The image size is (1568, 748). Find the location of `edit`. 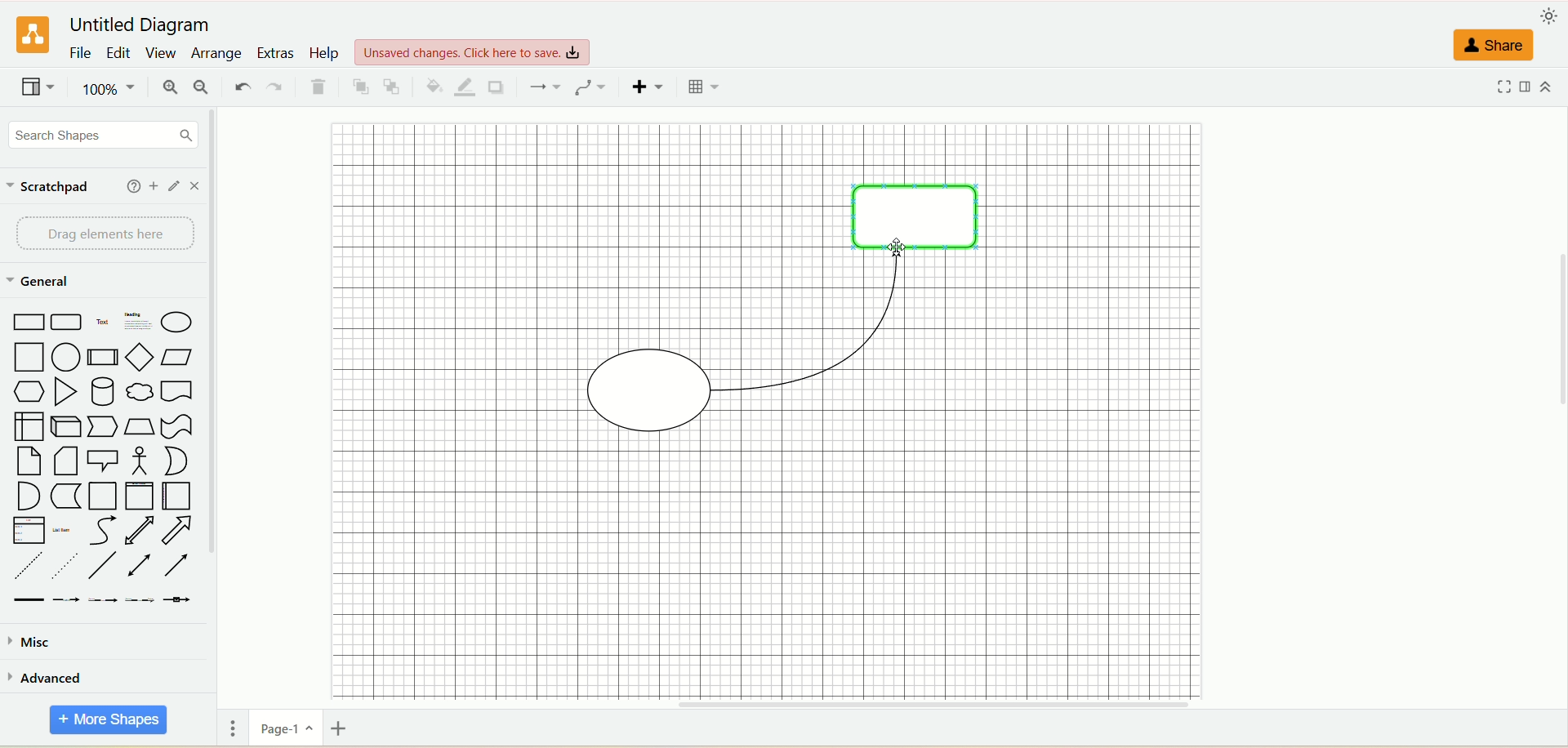

edit is located at coordinates (119, 54).